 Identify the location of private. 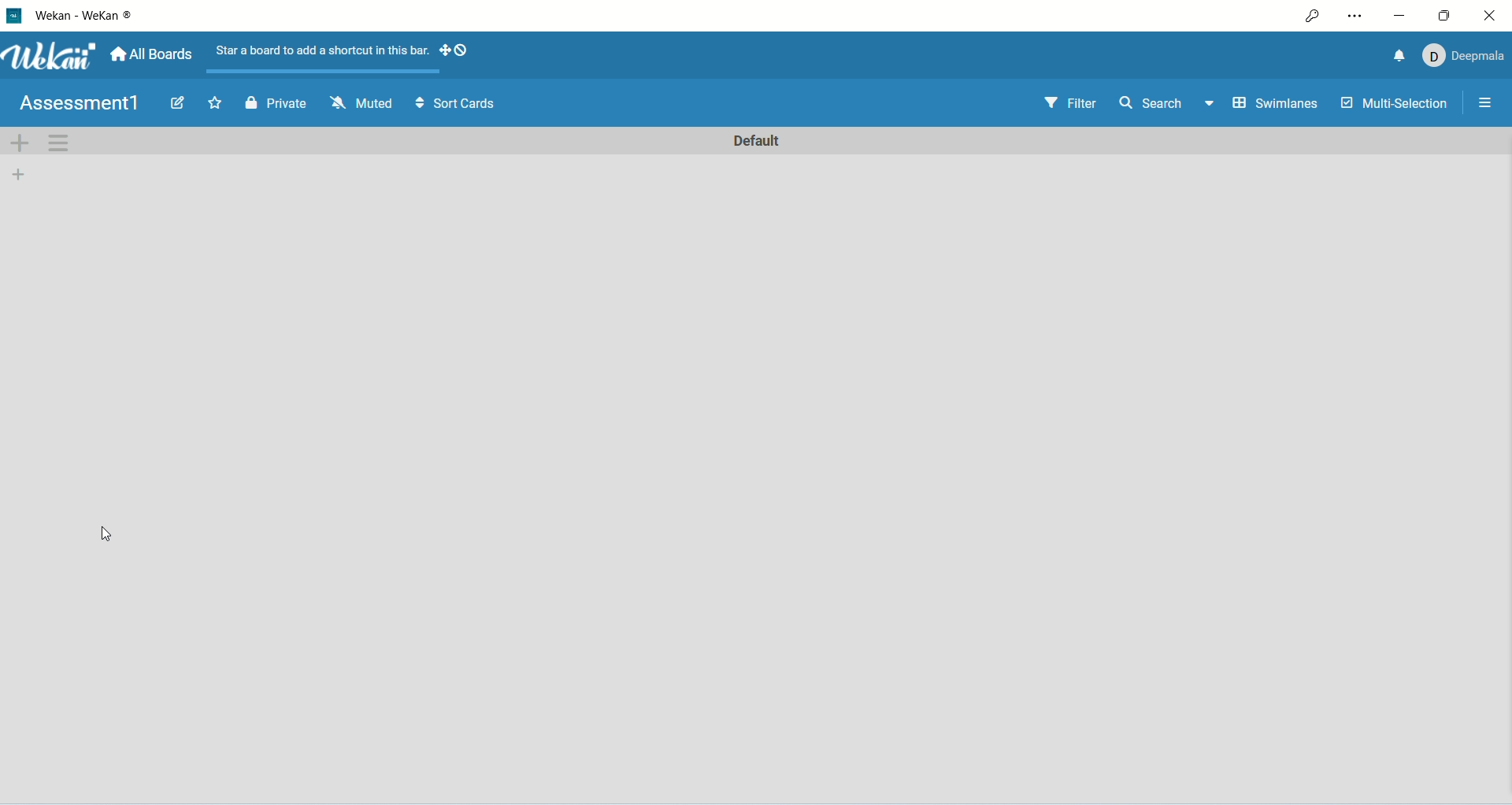
(272, 104).